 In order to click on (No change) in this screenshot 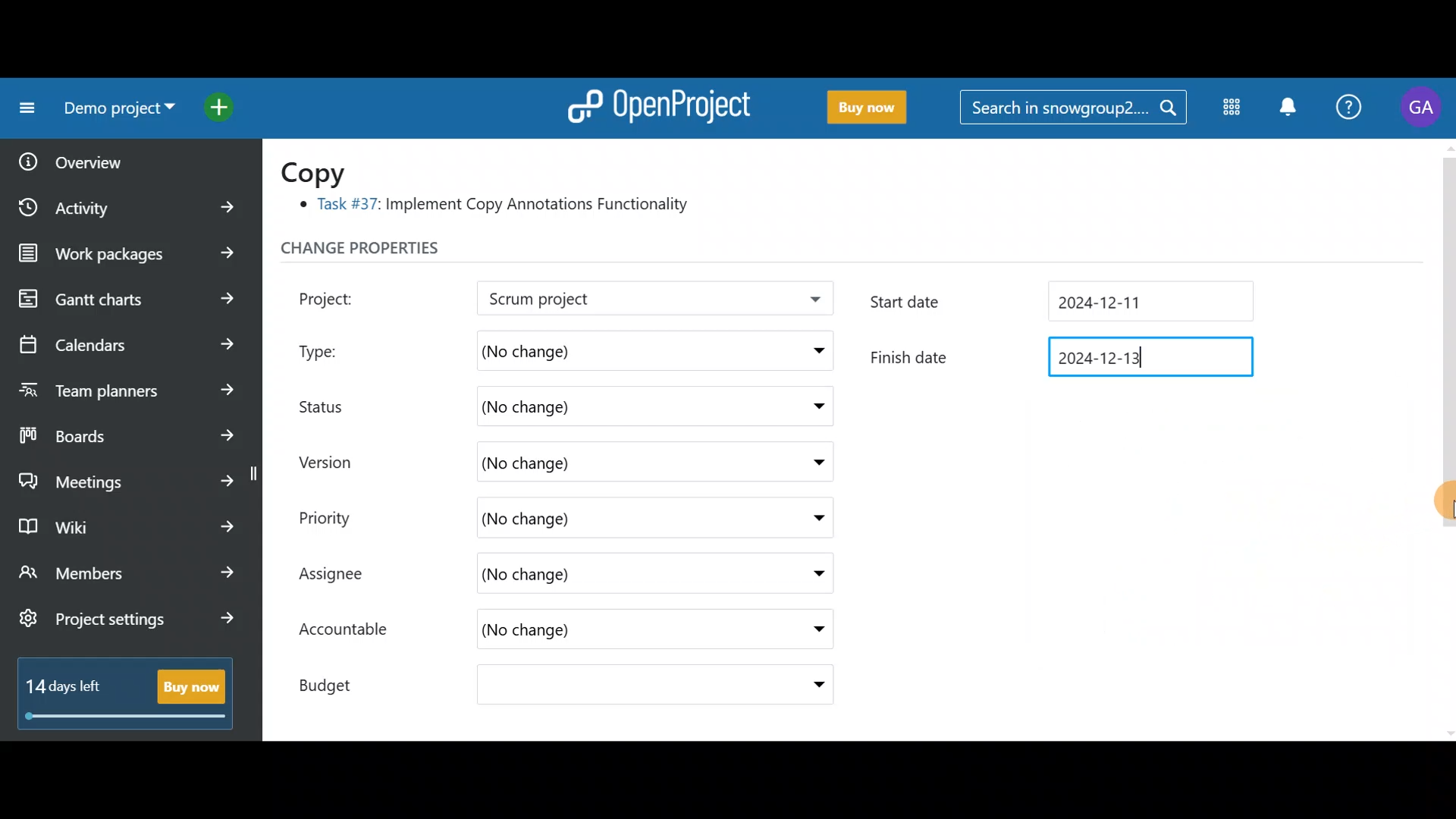, I will do `click(584, 407)`.